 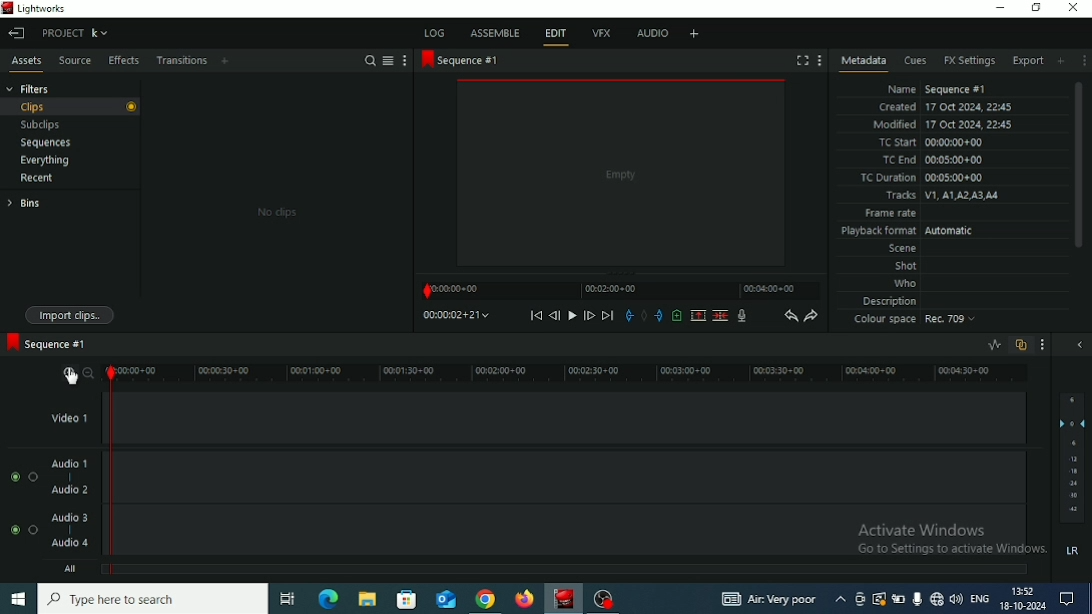 I want to click on Show settings menu, so click(x=1083, y=61).